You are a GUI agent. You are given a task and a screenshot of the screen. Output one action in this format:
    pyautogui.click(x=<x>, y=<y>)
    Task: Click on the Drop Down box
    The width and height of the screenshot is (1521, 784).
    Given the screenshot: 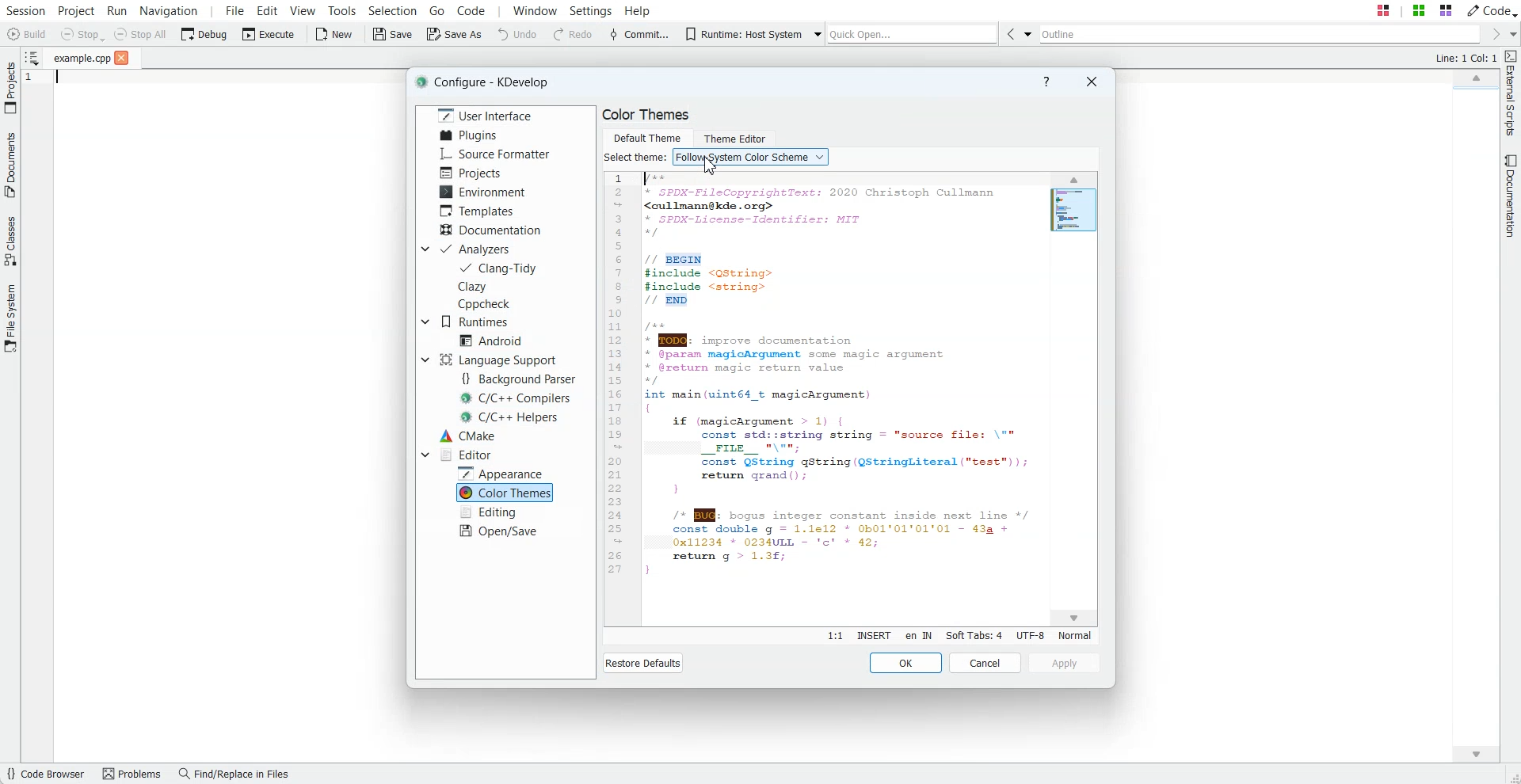 What is the action you would take?
    pyautogui.click(x=425, y=454)
    